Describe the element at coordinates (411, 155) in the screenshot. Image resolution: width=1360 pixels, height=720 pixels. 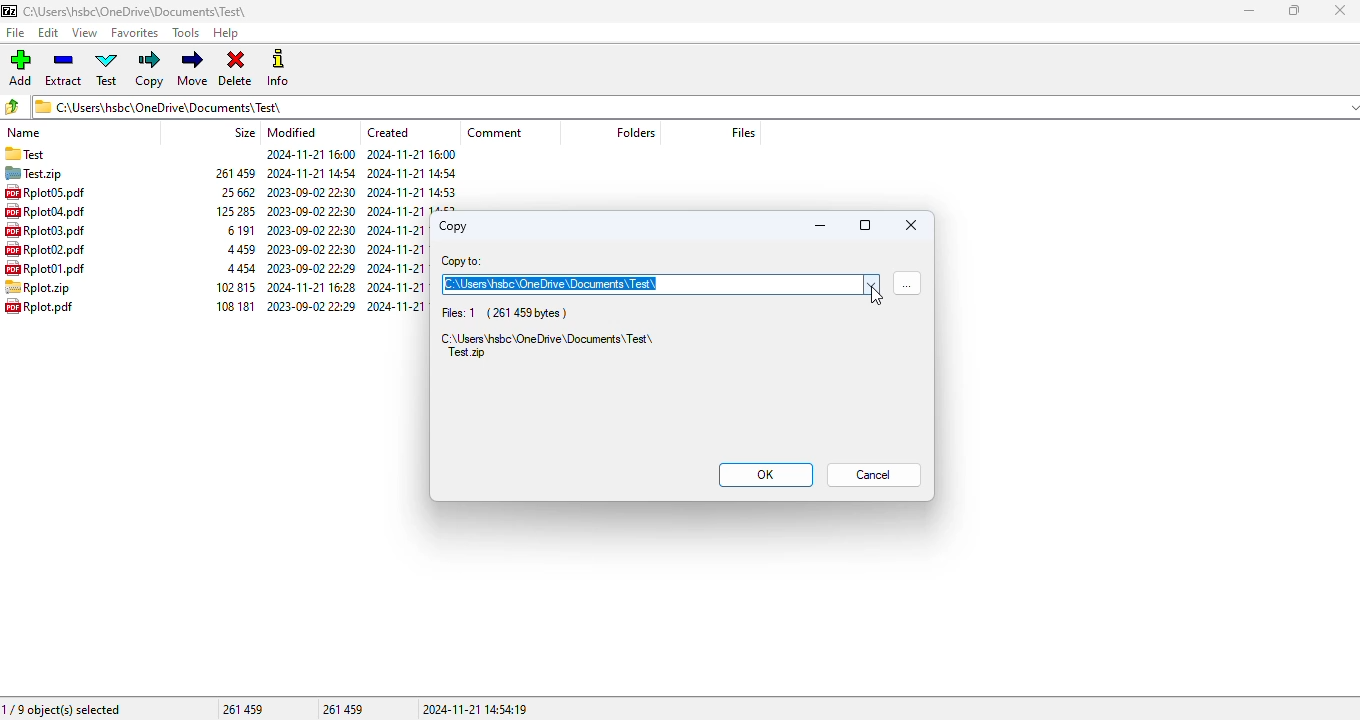
I see `created date & time` at that location.